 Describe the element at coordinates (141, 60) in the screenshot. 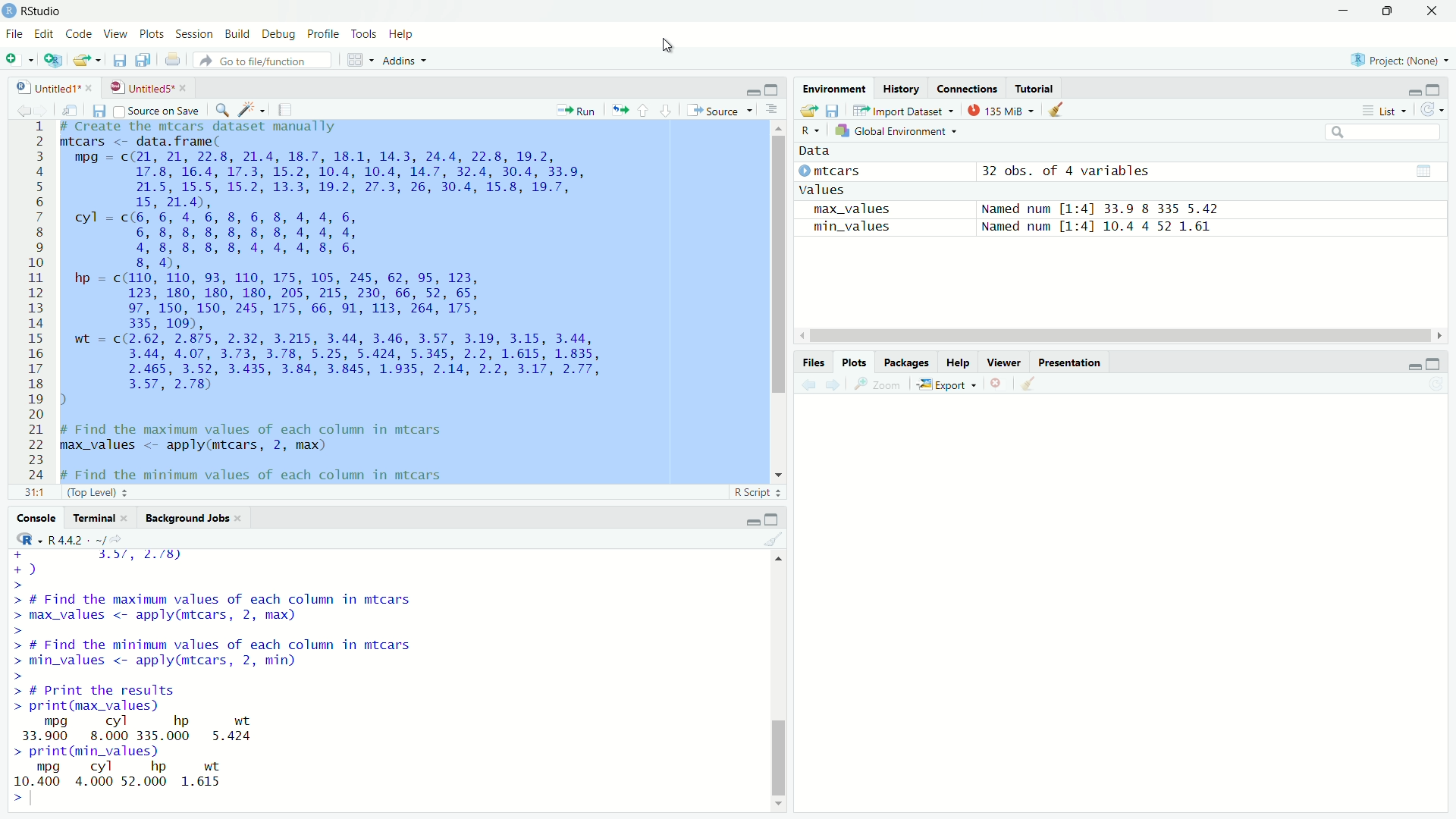

I see `copy` at that location.